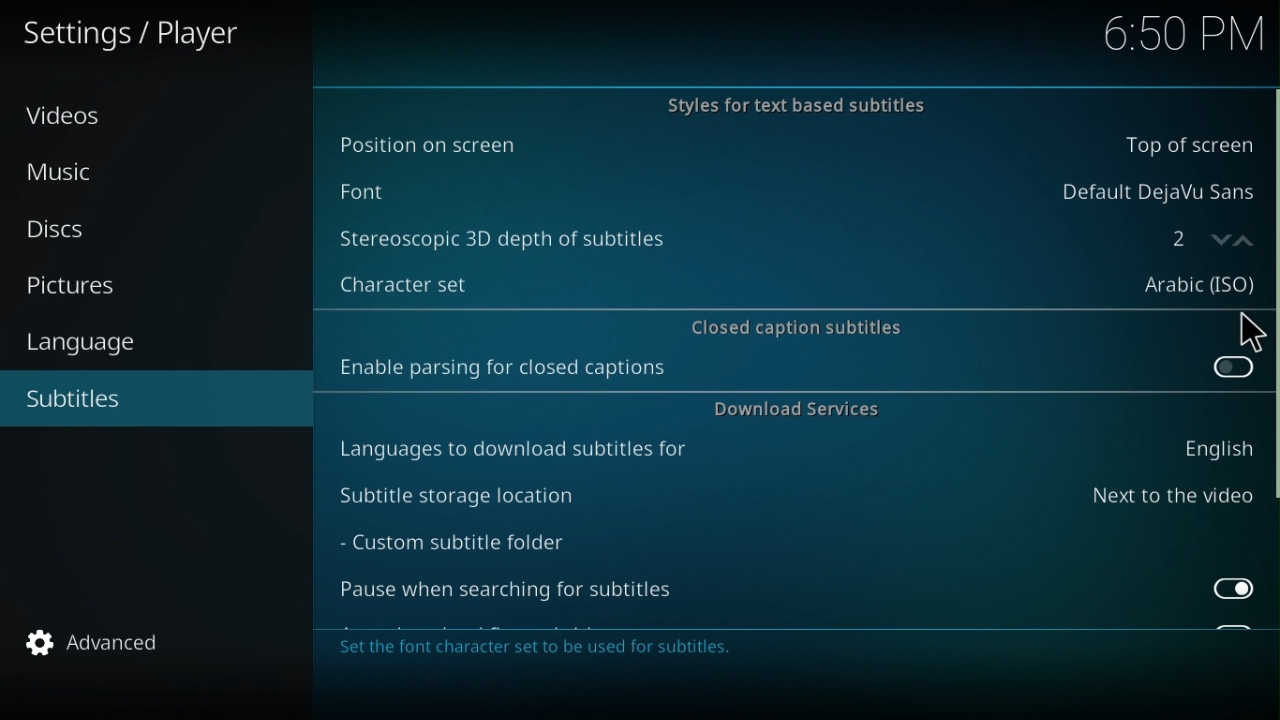  I want to click on 6.50 pm, so click(1174, 31).